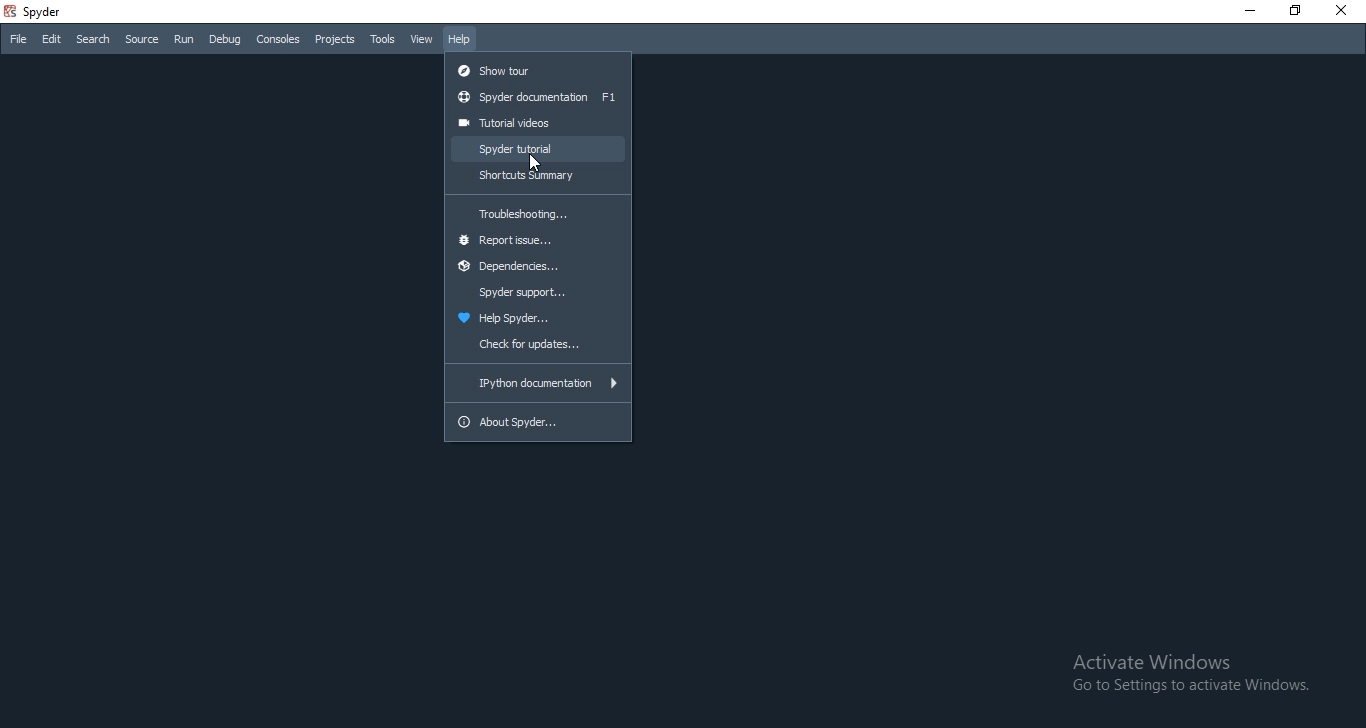 The height and width of the screenshot is (728, 1366). What do you see at coordinates (423, 37) in the screenshot?
I see `View` at bounding box center [423, 37].